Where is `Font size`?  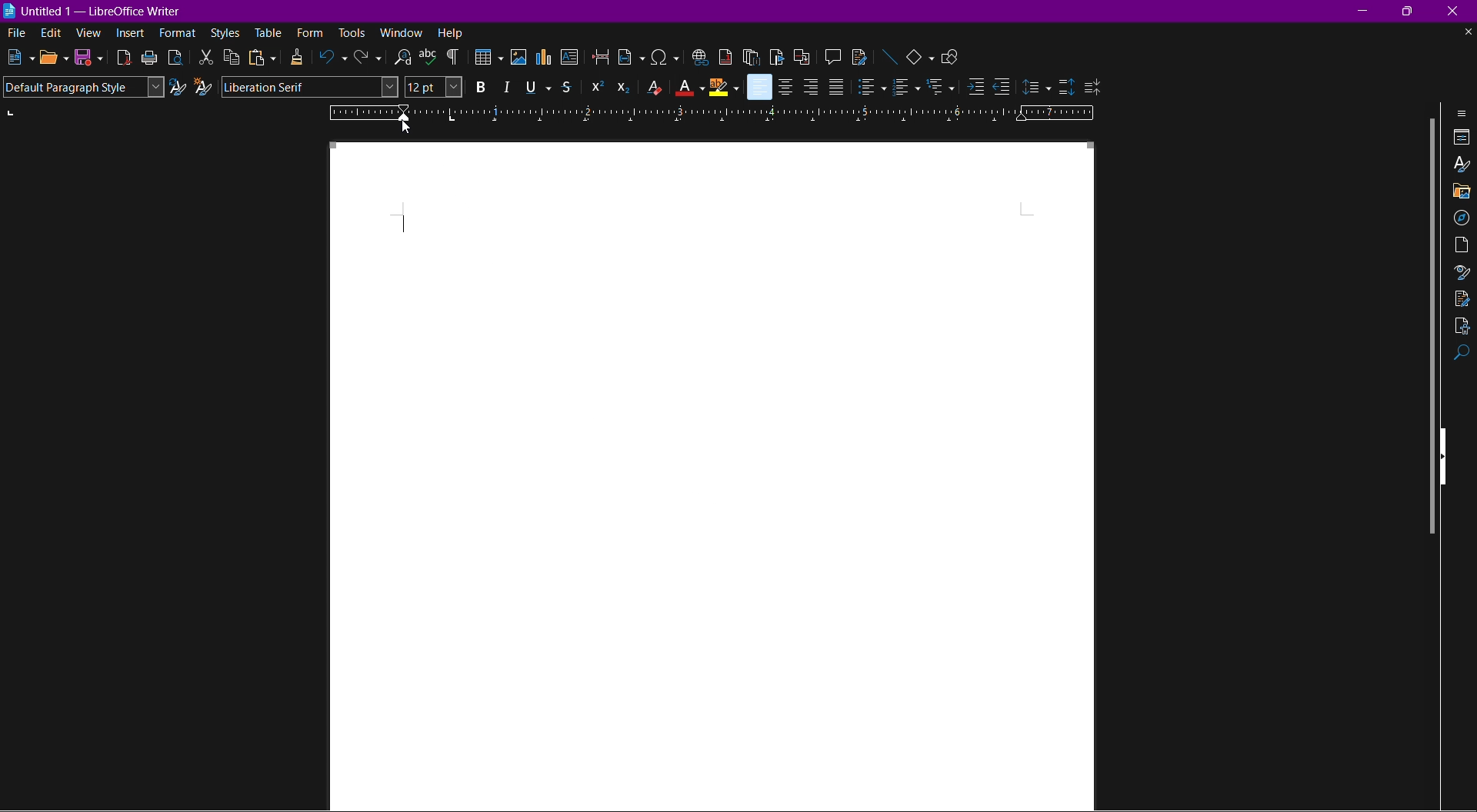 Font size is located at coordinates (432, 88).